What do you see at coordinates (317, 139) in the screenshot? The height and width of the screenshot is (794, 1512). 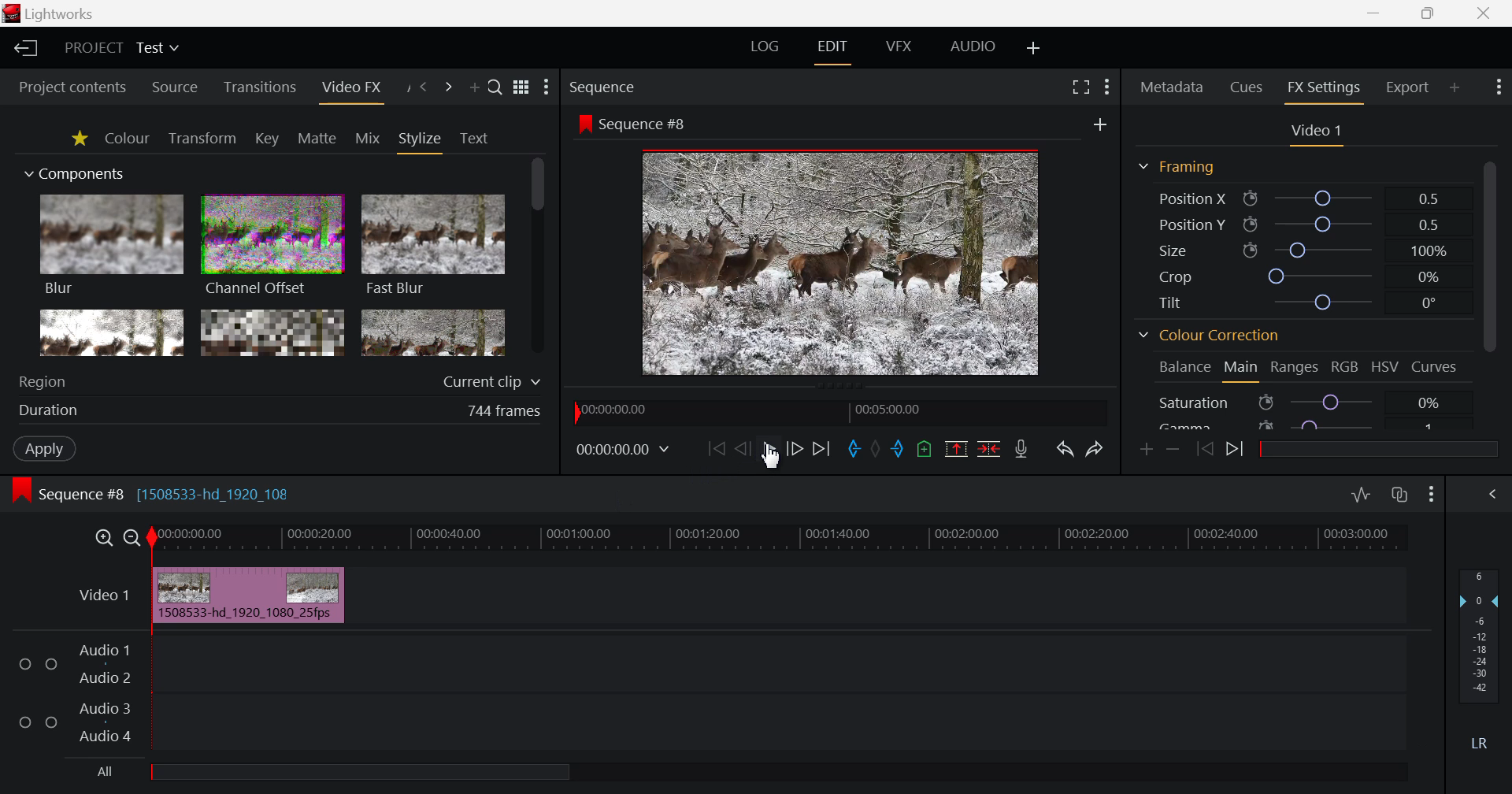 I see `Matte` at bounding box center [317, 139].